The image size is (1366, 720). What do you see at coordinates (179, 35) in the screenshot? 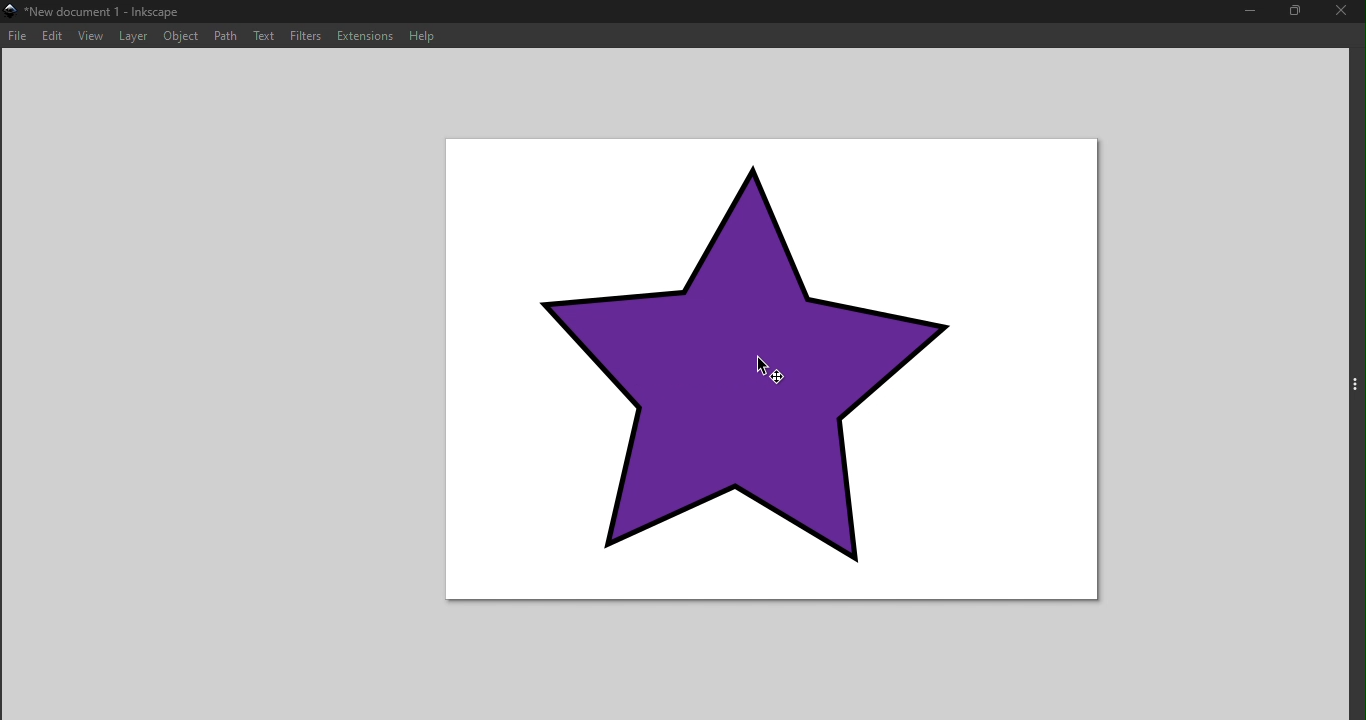
I see `Object` at bounding box center [179, 35].